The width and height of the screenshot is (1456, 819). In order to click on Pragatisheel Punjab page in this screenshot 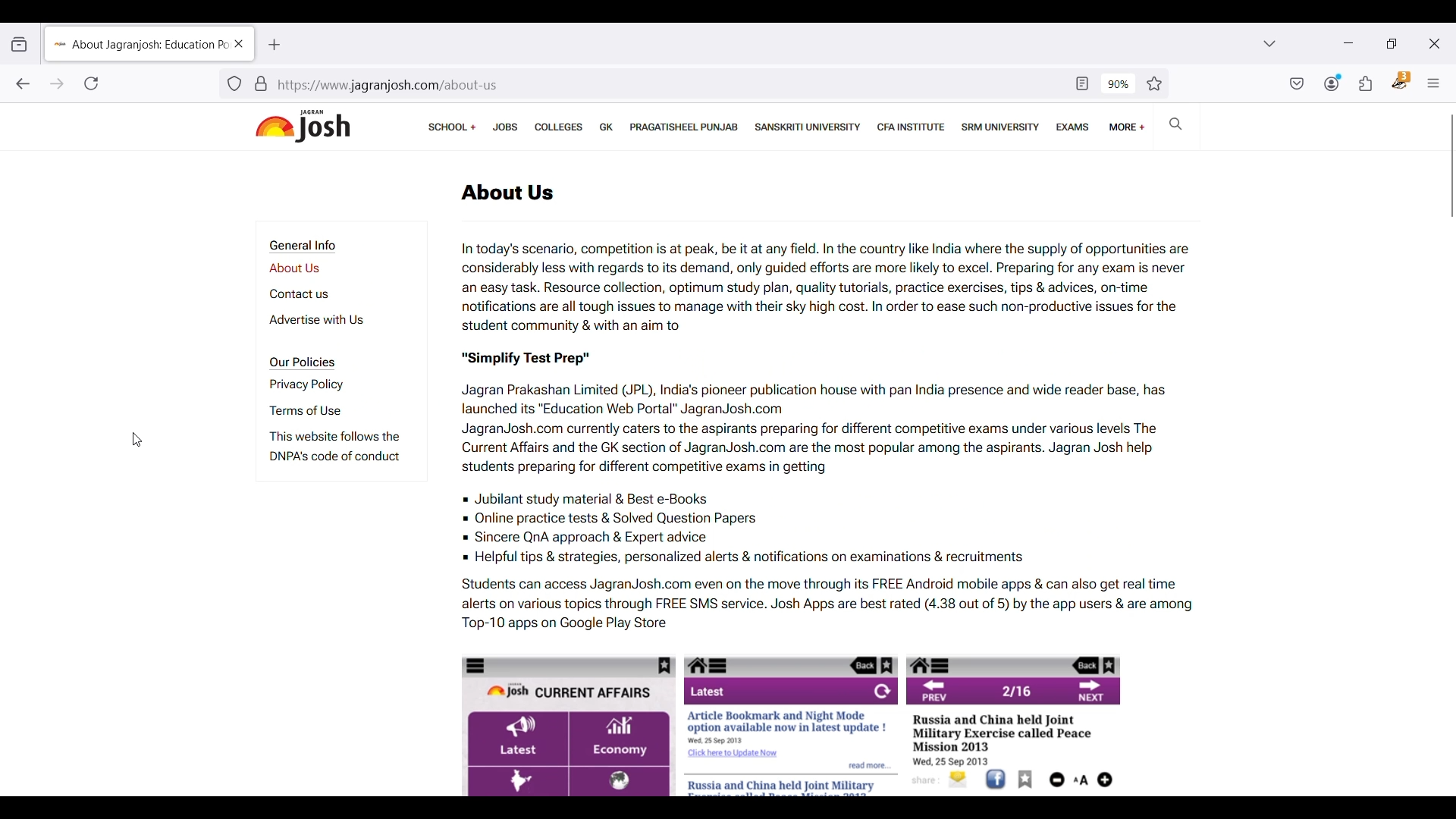, I will do `click(685, 127)`.